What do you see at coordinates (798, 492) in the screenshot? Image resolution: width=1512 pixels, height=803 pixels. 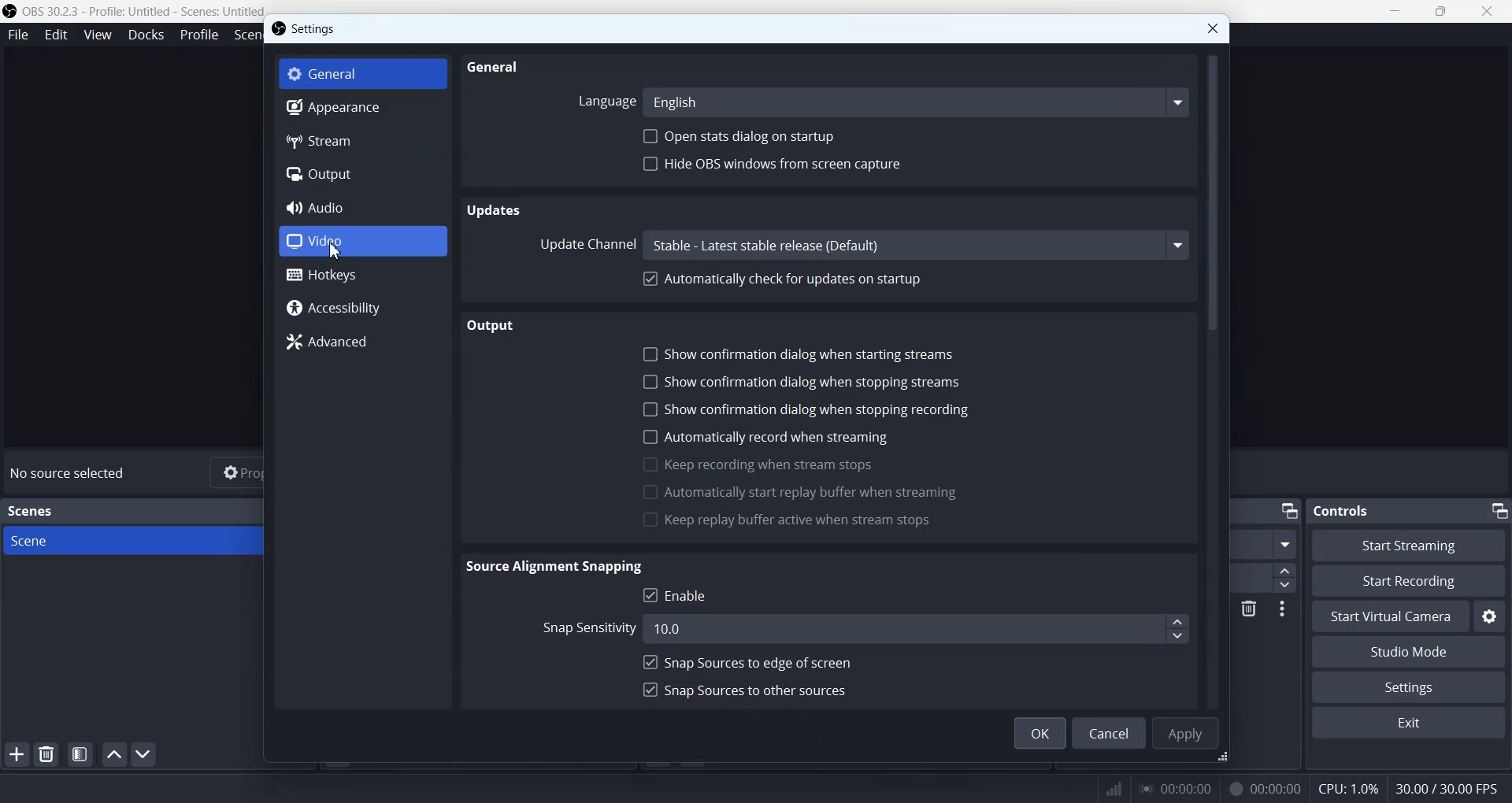 I see `Automatically start replay buffer when streaming` at bounding box center [798, 492].